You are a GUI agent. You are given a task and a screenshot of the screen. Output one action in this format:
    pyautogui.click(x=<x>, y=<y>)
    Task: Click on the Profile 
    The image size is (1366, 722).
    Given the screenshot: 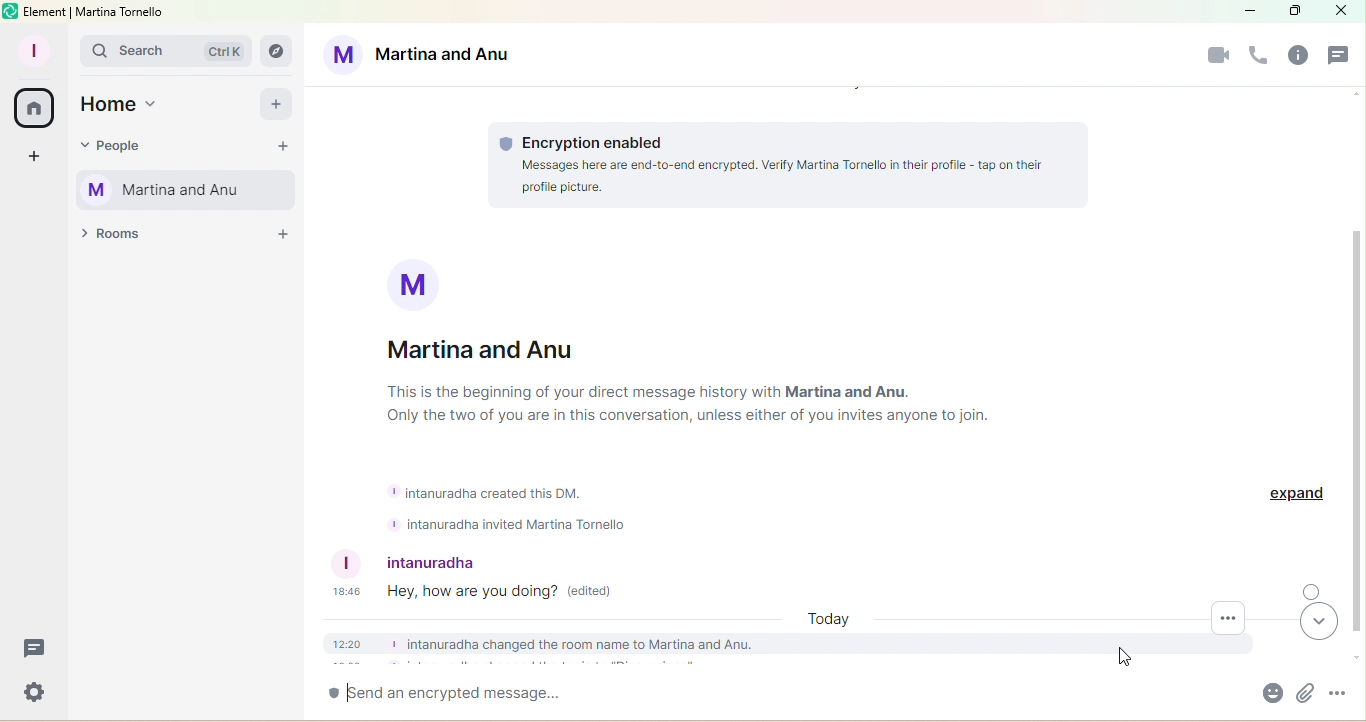 What is the action you would take?
    pyautogui.click(x=38, y=47)
    